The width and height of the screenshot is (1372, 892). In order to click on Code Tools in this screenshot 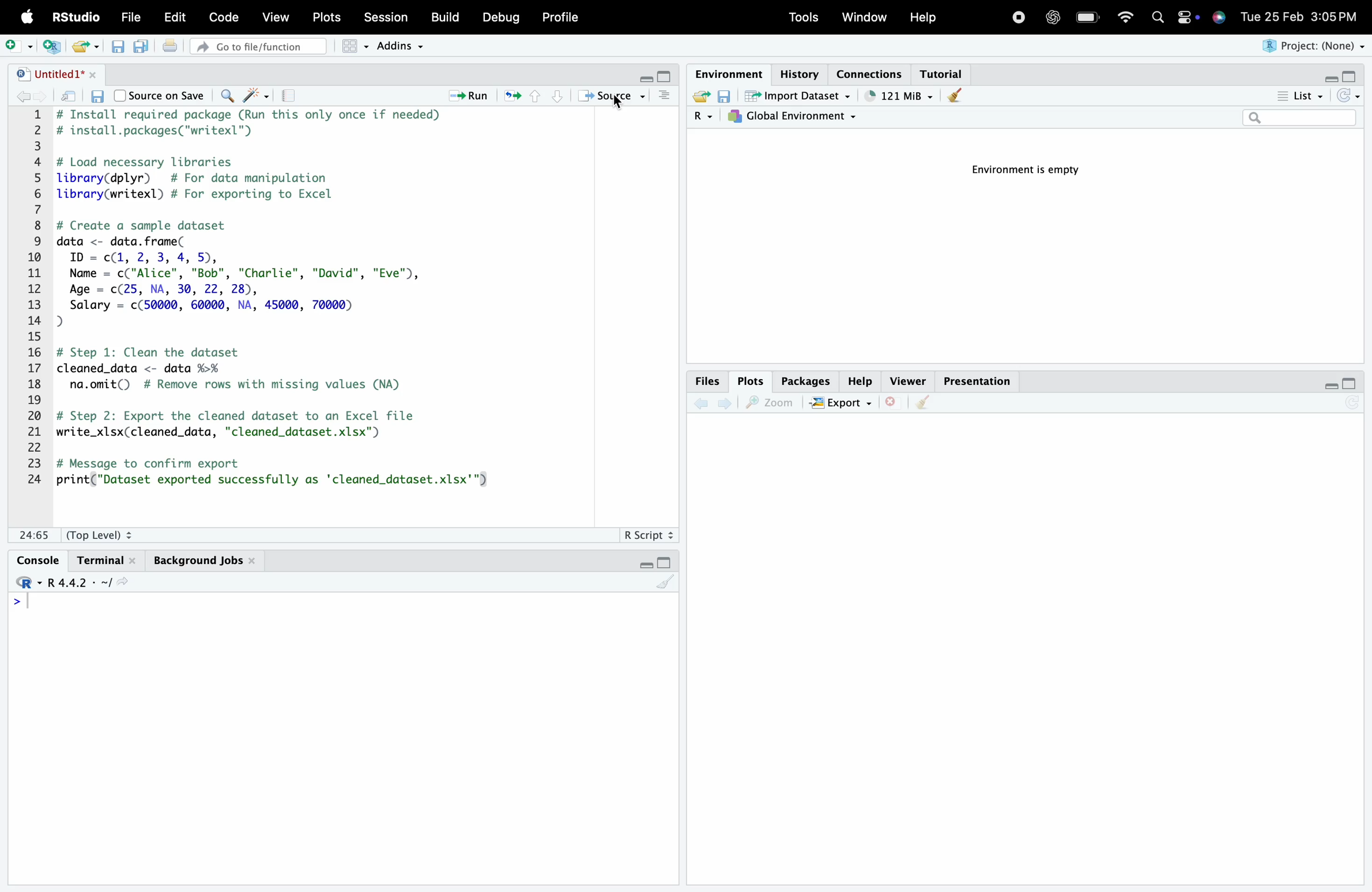, I will do `click(257, 95)`.